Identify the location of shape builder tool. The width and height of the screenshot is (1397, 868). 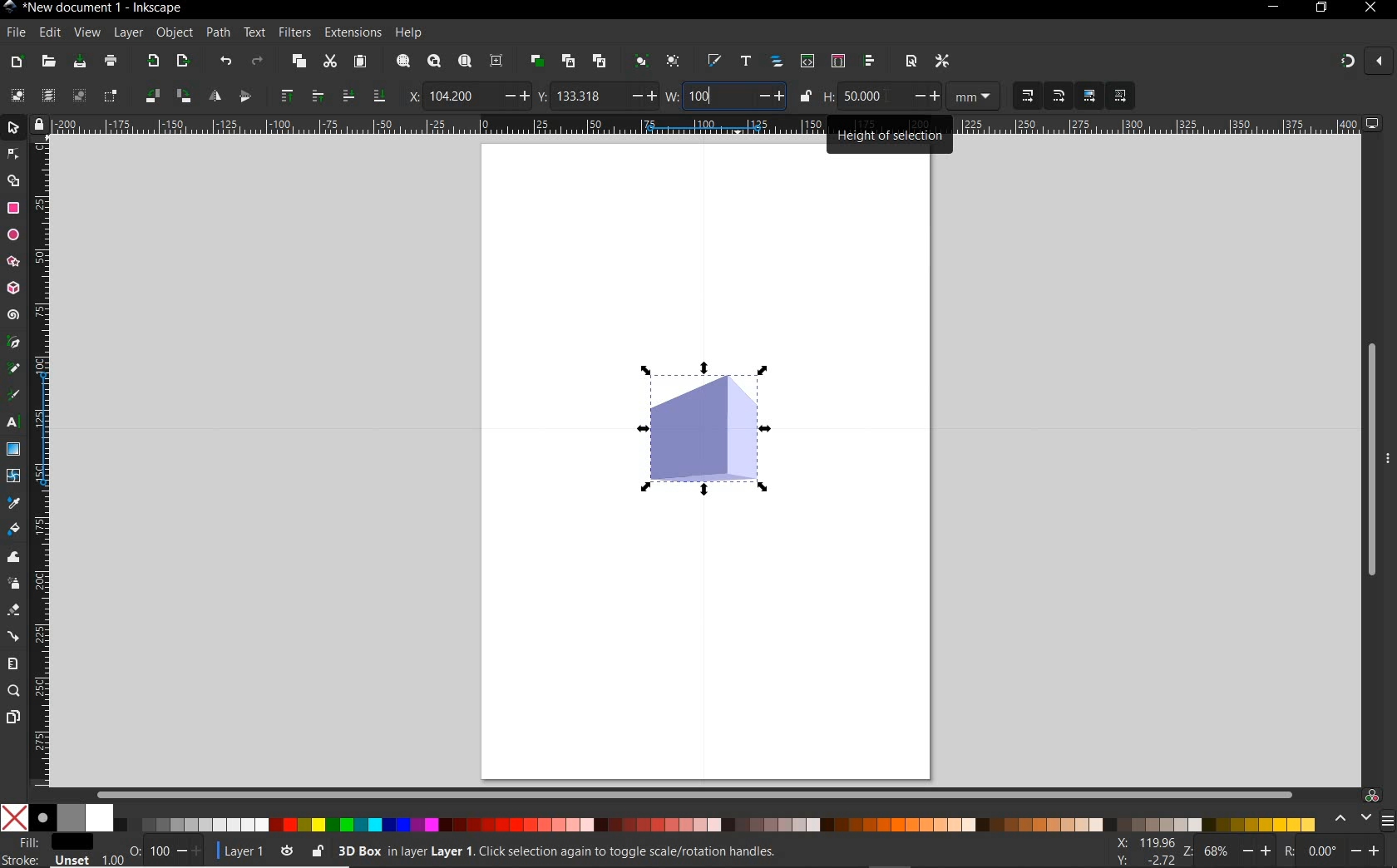
(16, 181).